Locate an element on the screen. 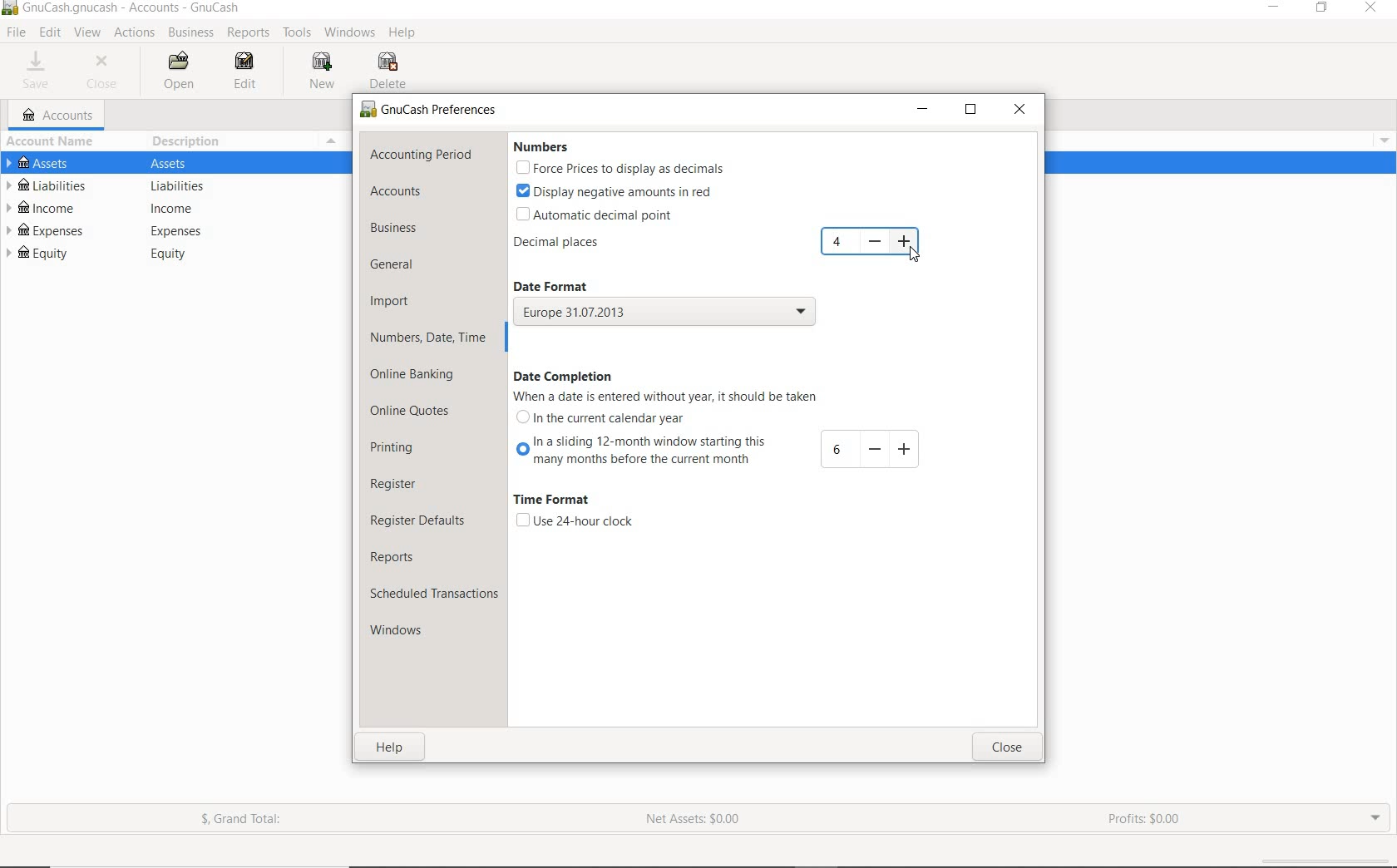 This screenshot has width=1397, height=868. DELETE is located at coordinates (390, 71).